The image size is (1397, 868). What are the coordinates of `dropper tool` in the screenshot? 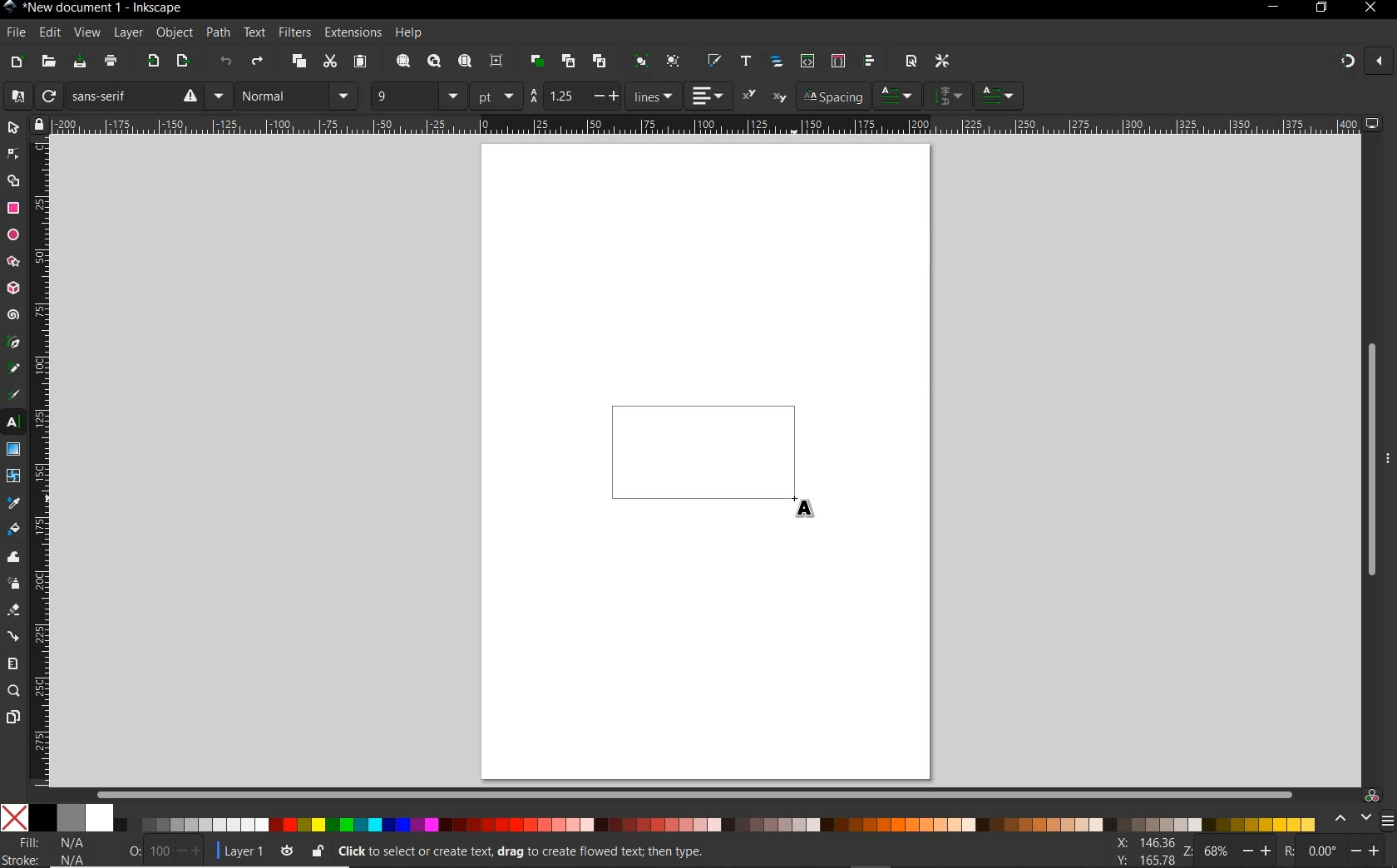 It's located at (14, 504).